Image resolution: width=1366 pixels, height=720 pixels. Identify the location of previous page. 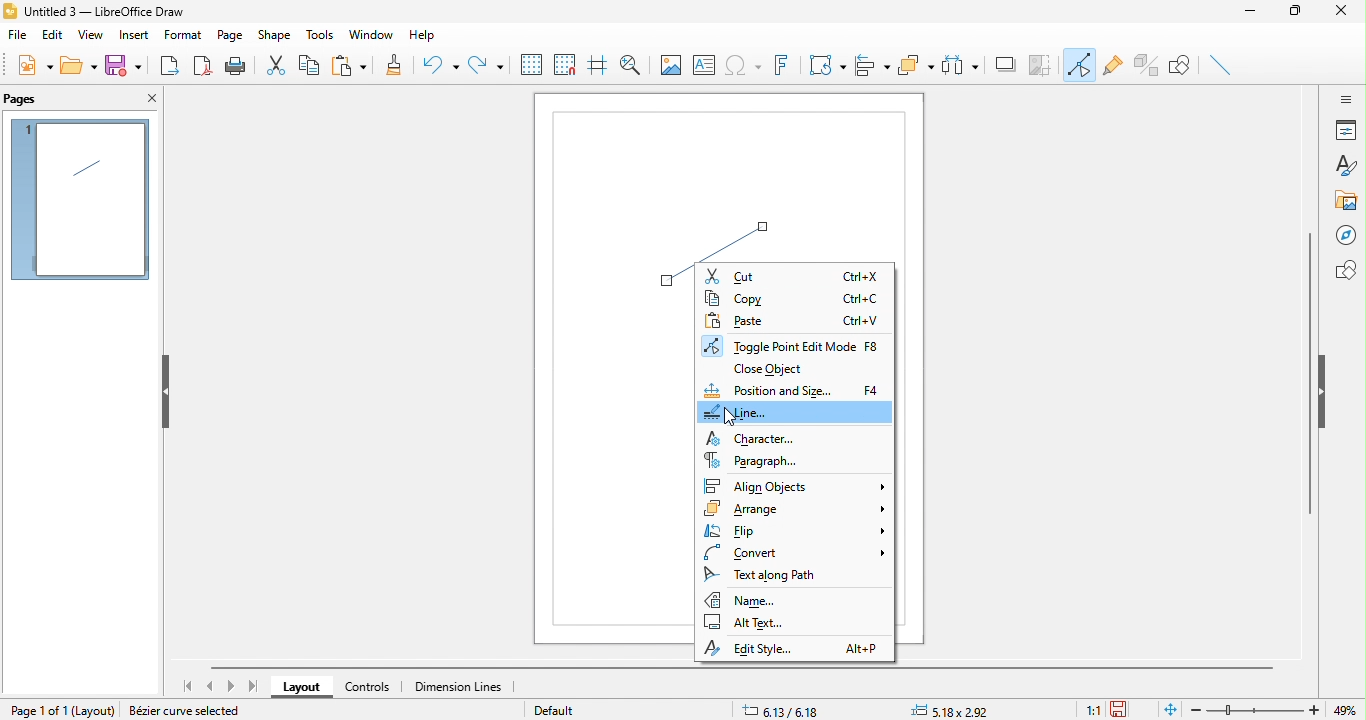
(212, 684).